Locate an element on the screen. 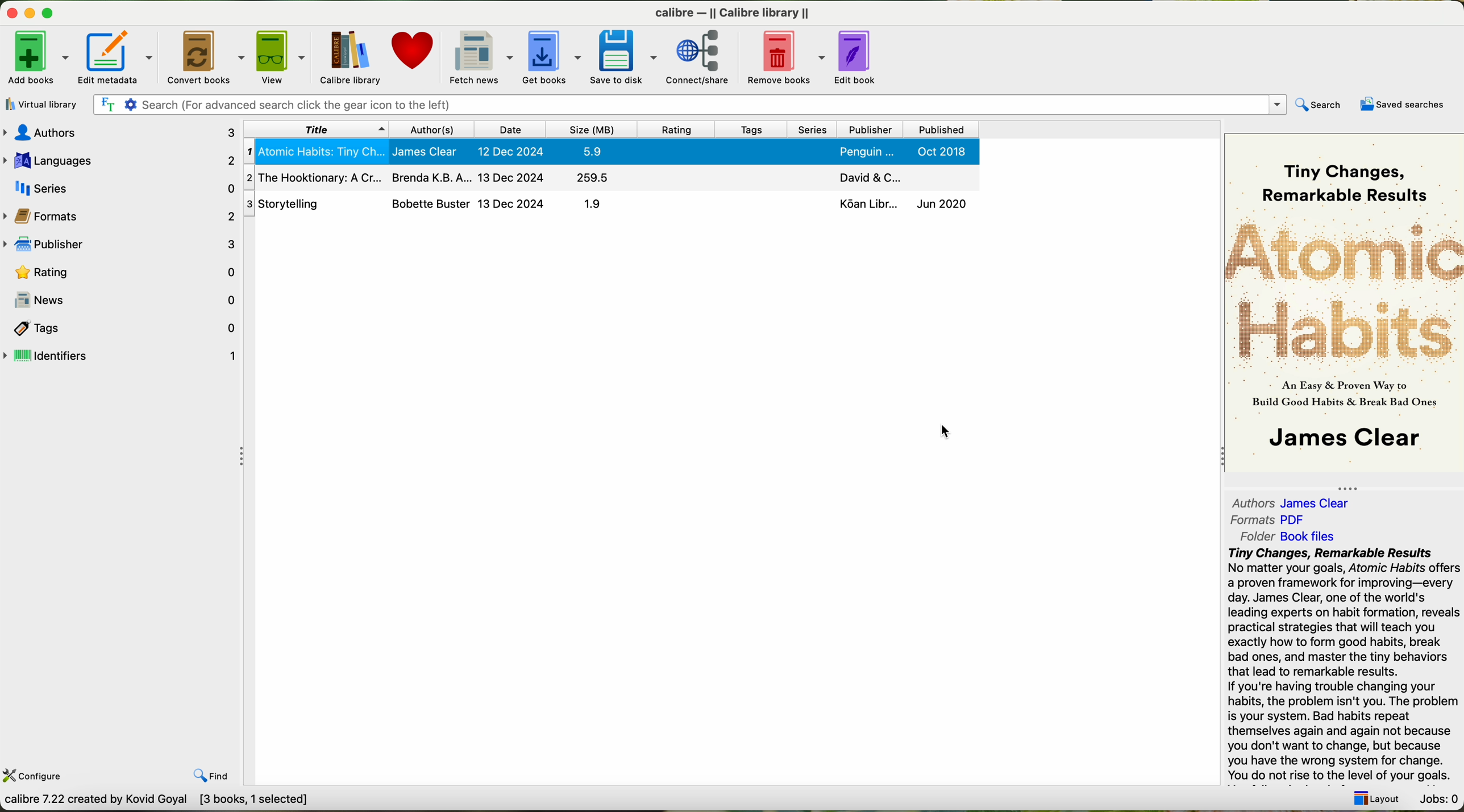 This screenshot has width=1464, height=812. maximize window is located at coordinates (51, 14).